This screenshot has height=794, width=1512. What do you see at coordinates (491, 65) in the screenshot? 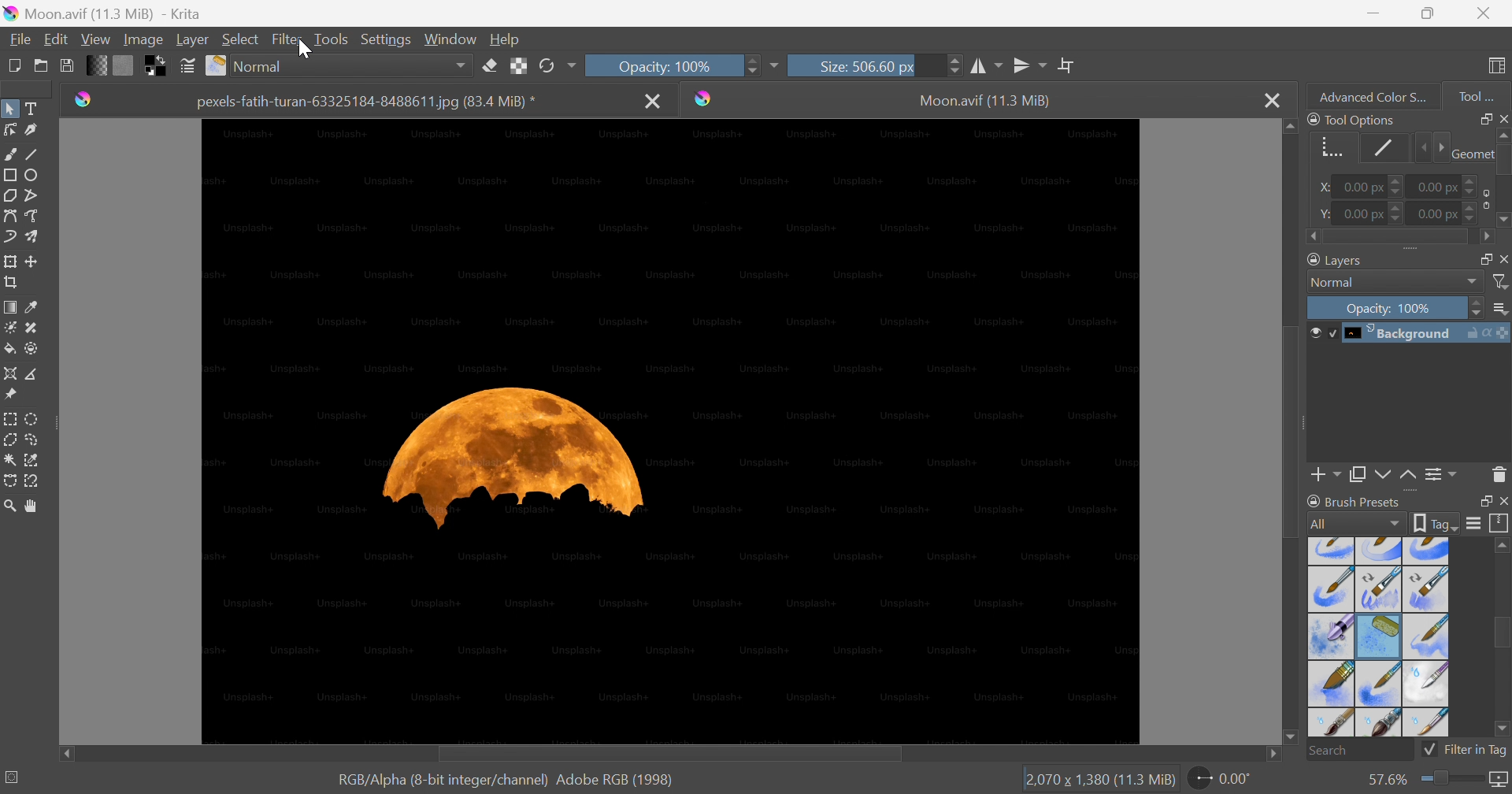
I see `Set eraser mode` at bounding box center [491, 65].